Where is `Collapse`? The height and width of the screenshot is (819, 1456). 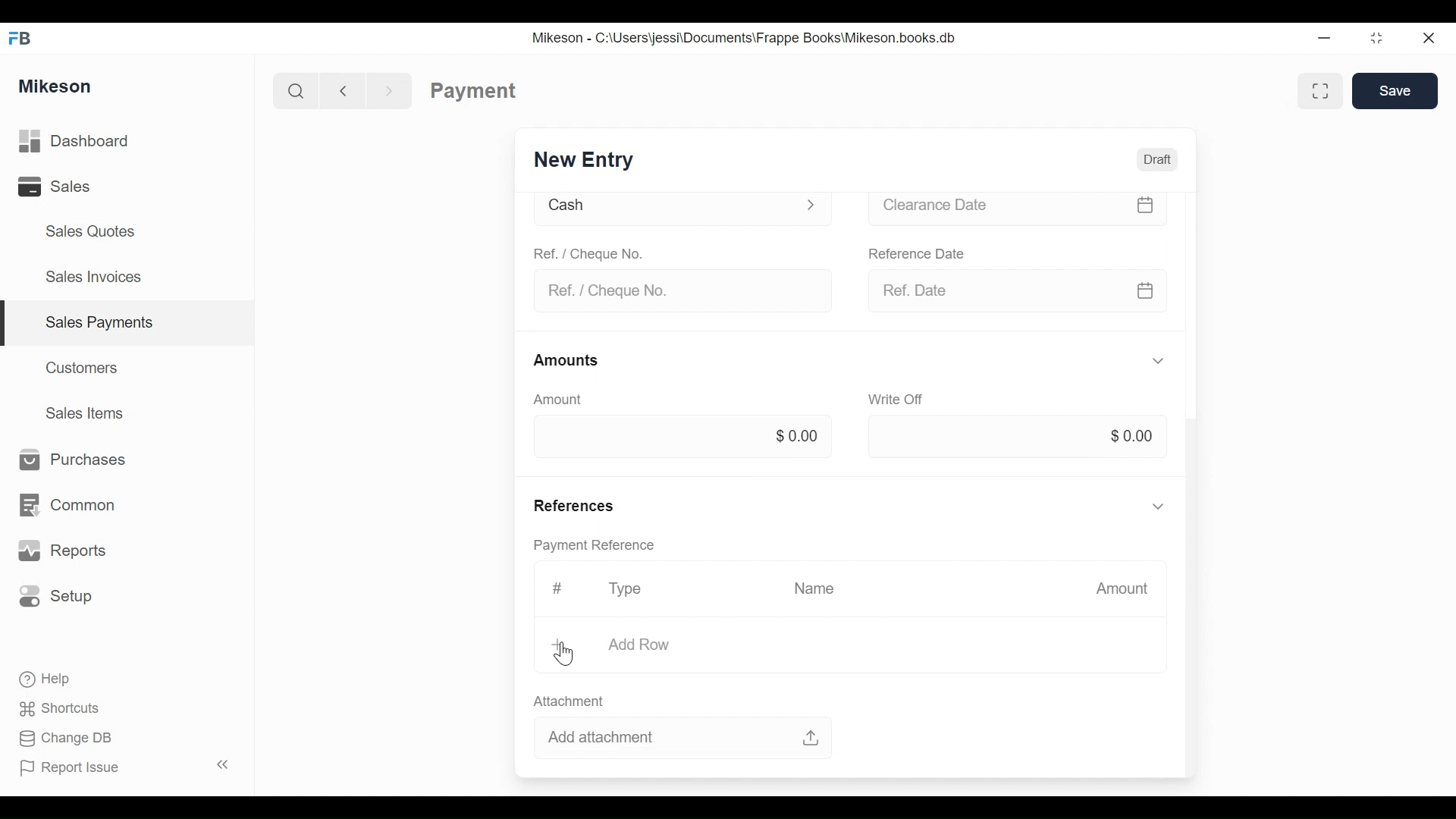 Collapse is located at coordinates (226, 766).